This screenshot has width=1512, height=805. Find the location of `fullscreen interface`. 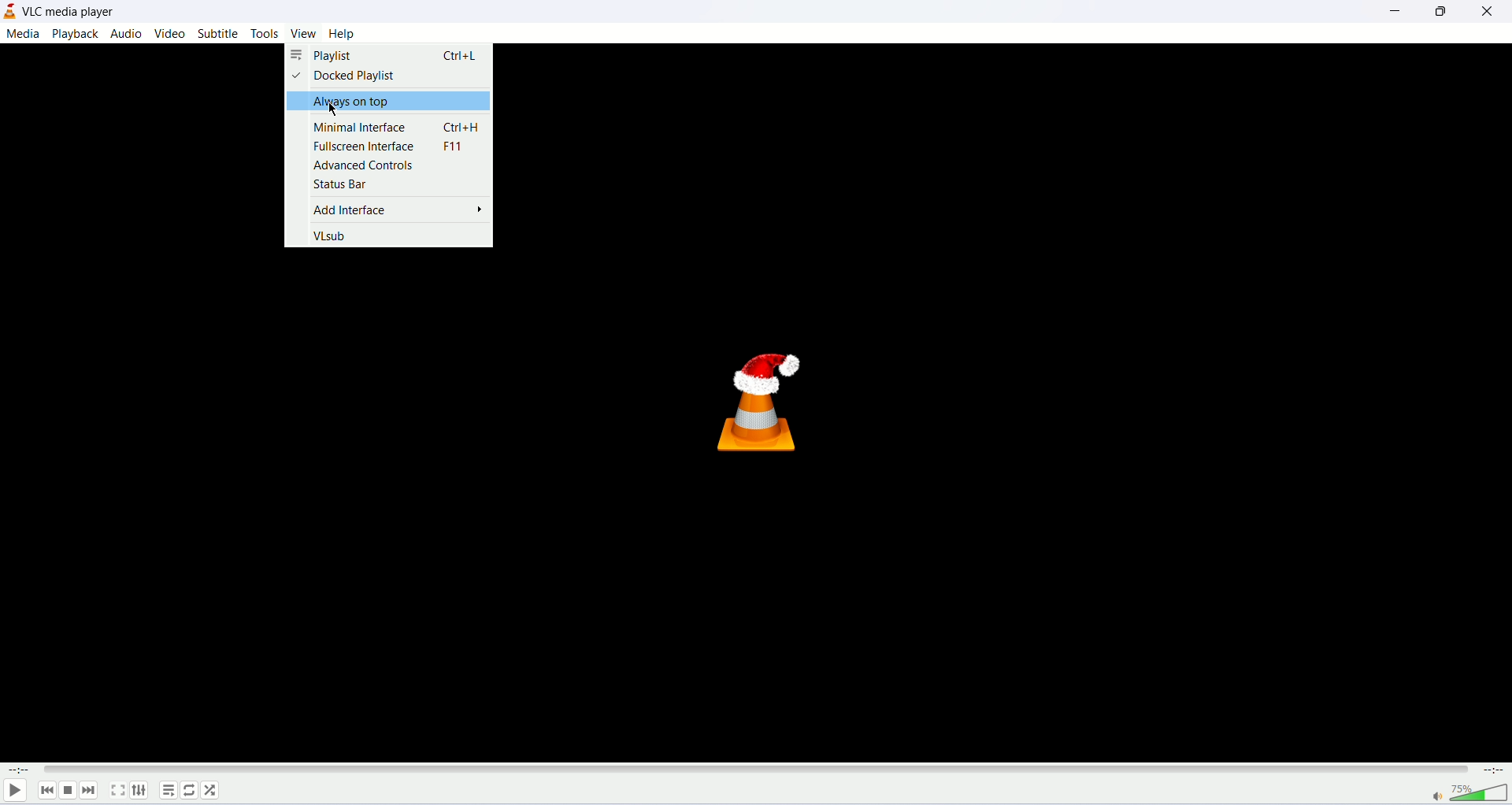

fullscreen interface is located at coordinates (390, 145).